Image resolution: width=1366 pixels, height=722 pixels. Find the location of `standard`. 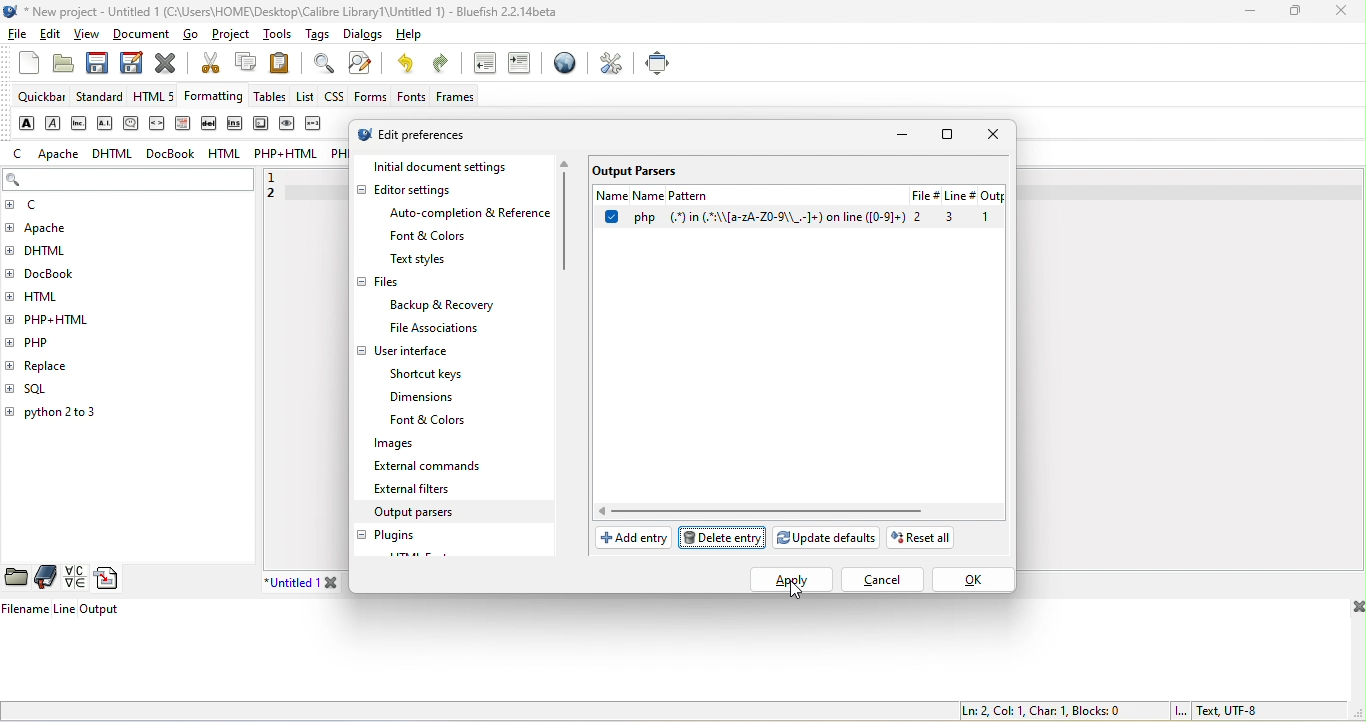

standard is located at coordinates (102, 96).